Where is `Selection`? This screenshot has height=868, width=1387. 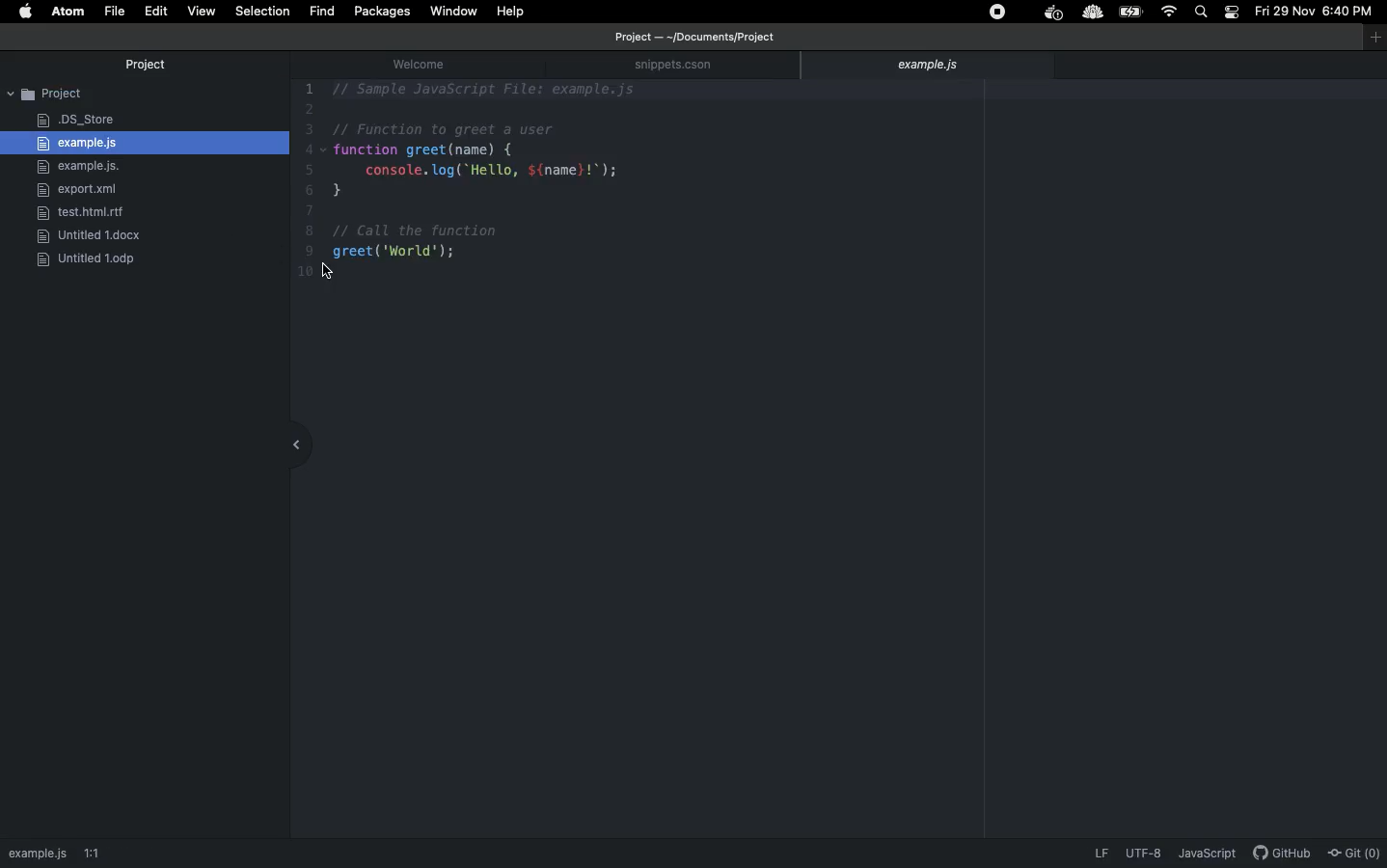 Selection is located at coordinates (265, 12).